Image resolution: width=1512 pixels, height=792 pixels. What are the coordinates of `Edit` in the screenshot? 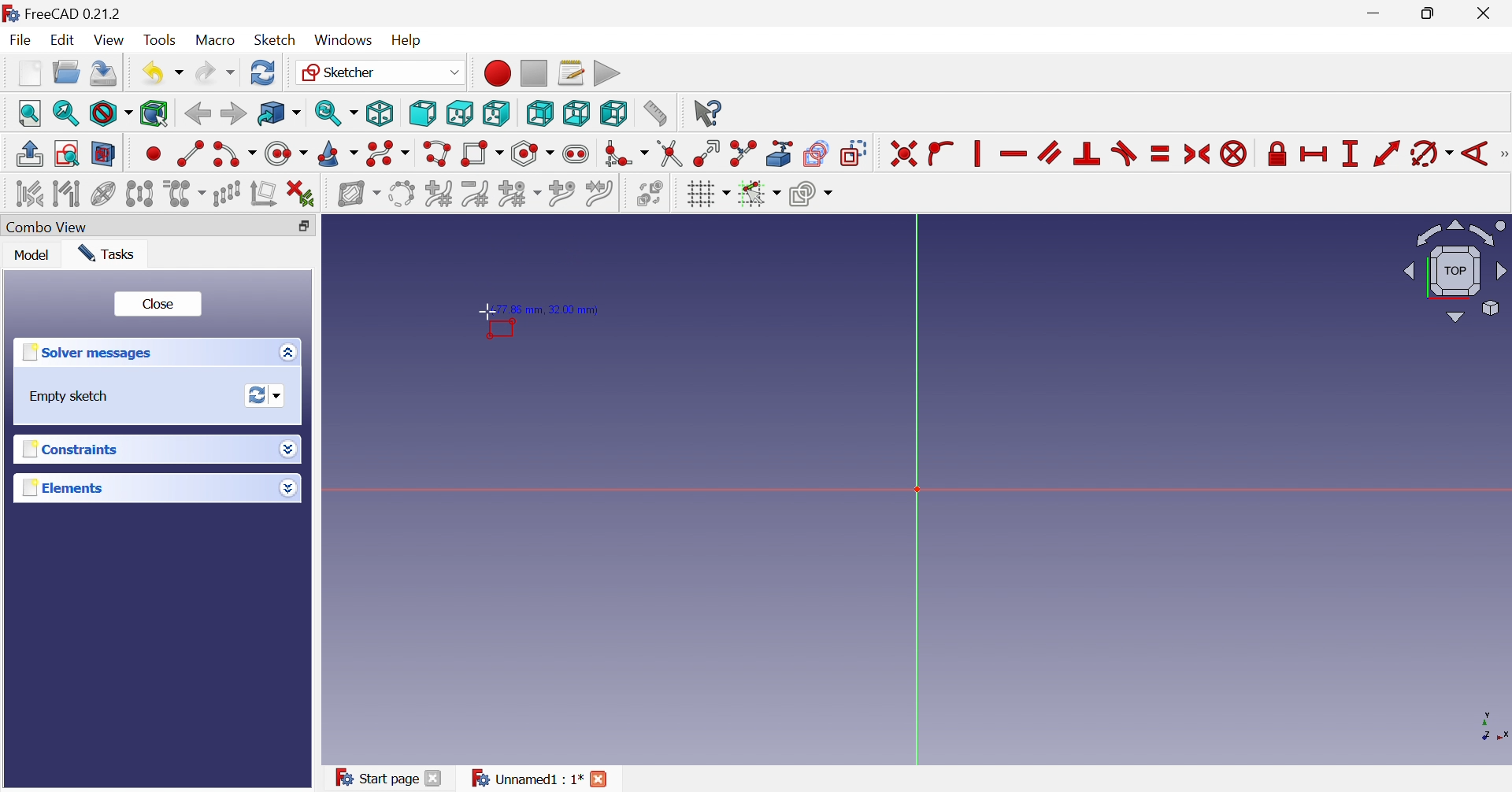 It's located at (65, 40).